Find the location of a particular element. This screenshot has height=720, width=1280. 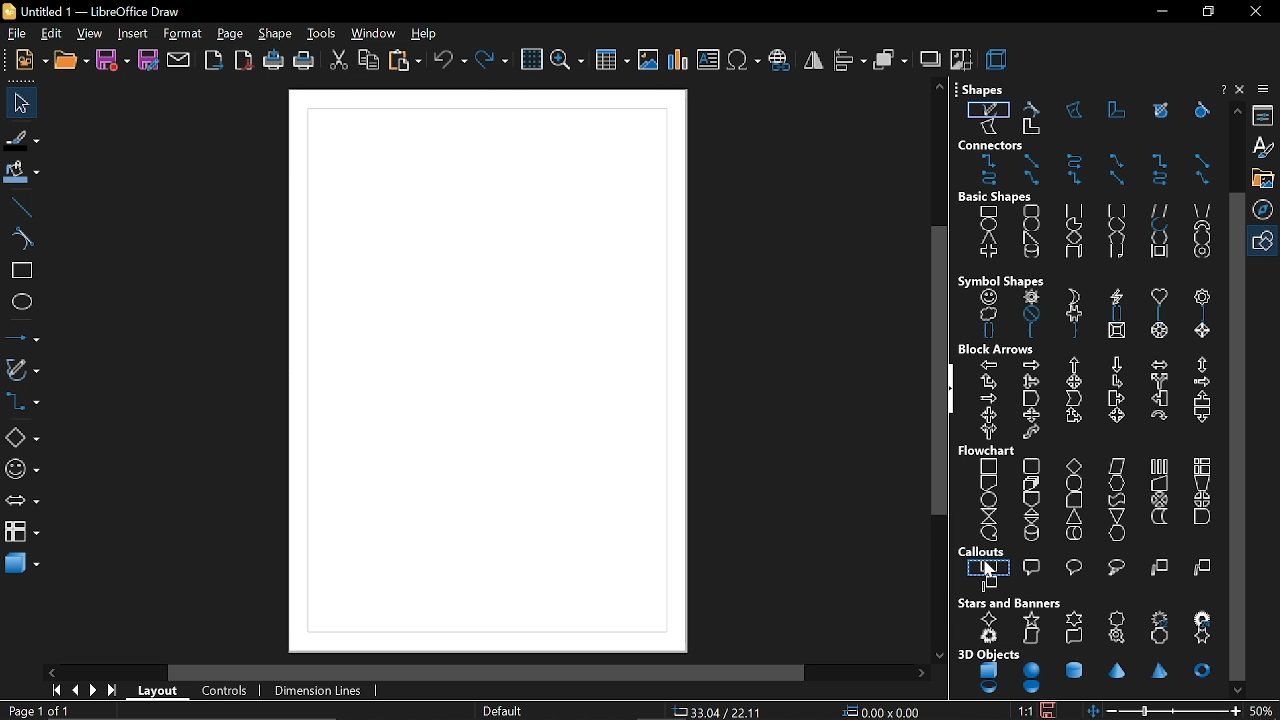

document is located at coordinates (988, 484).